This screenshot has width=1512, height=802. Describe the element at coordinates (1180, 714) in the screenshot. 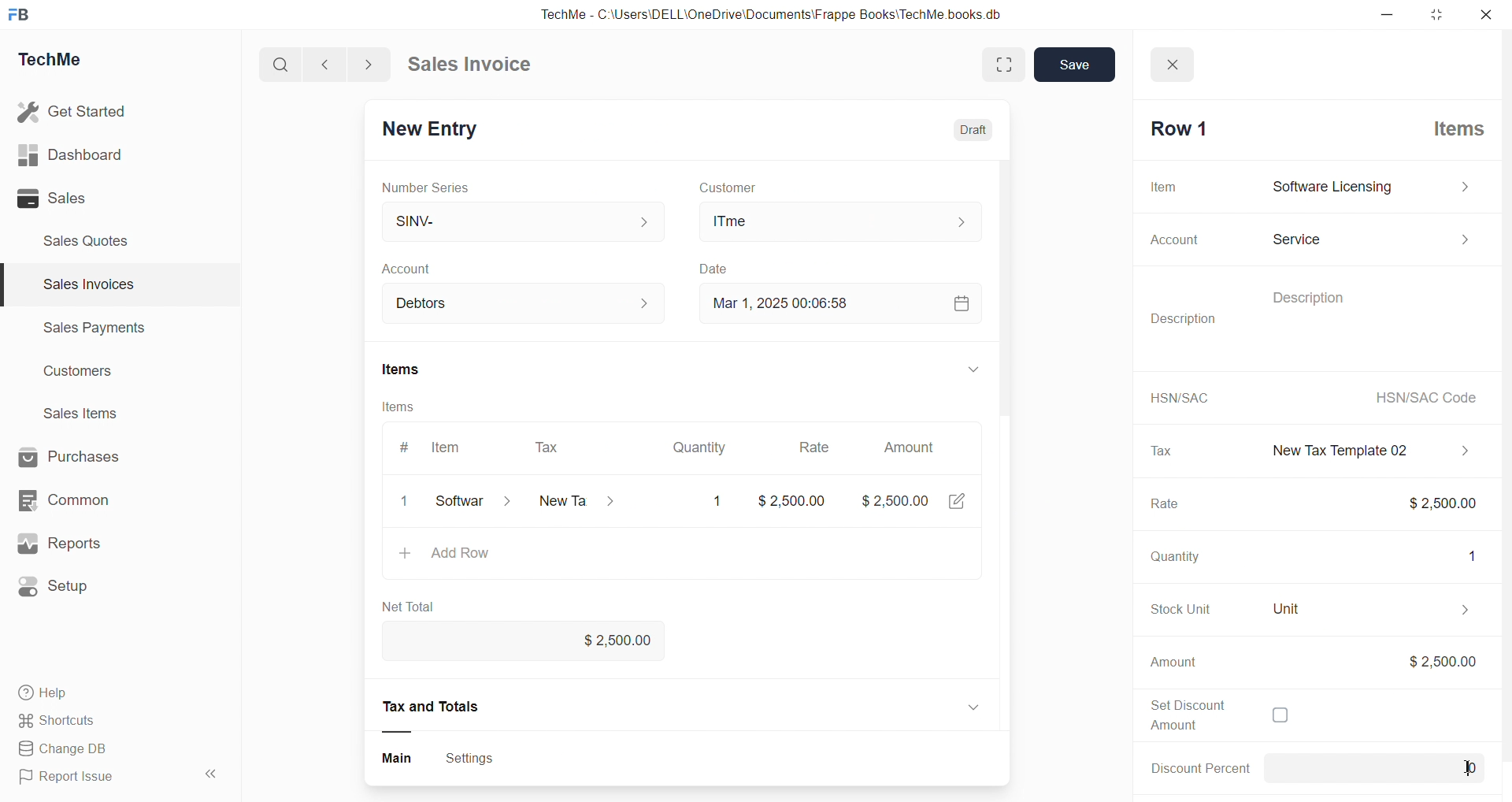

I see `Set Discount
Amount` at that location.